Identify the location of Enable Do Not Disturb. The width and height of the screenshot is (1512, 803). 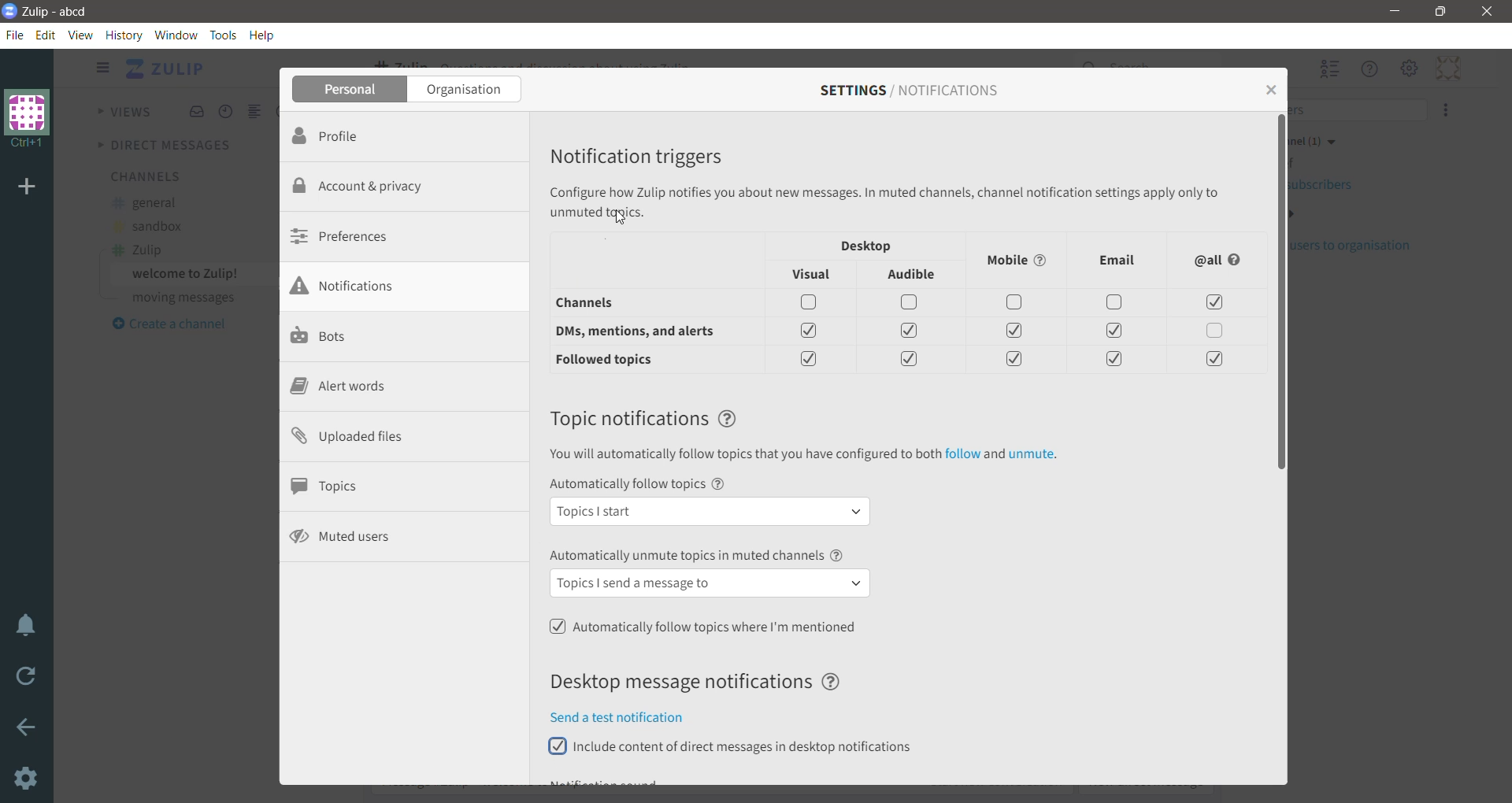
(28, 627).